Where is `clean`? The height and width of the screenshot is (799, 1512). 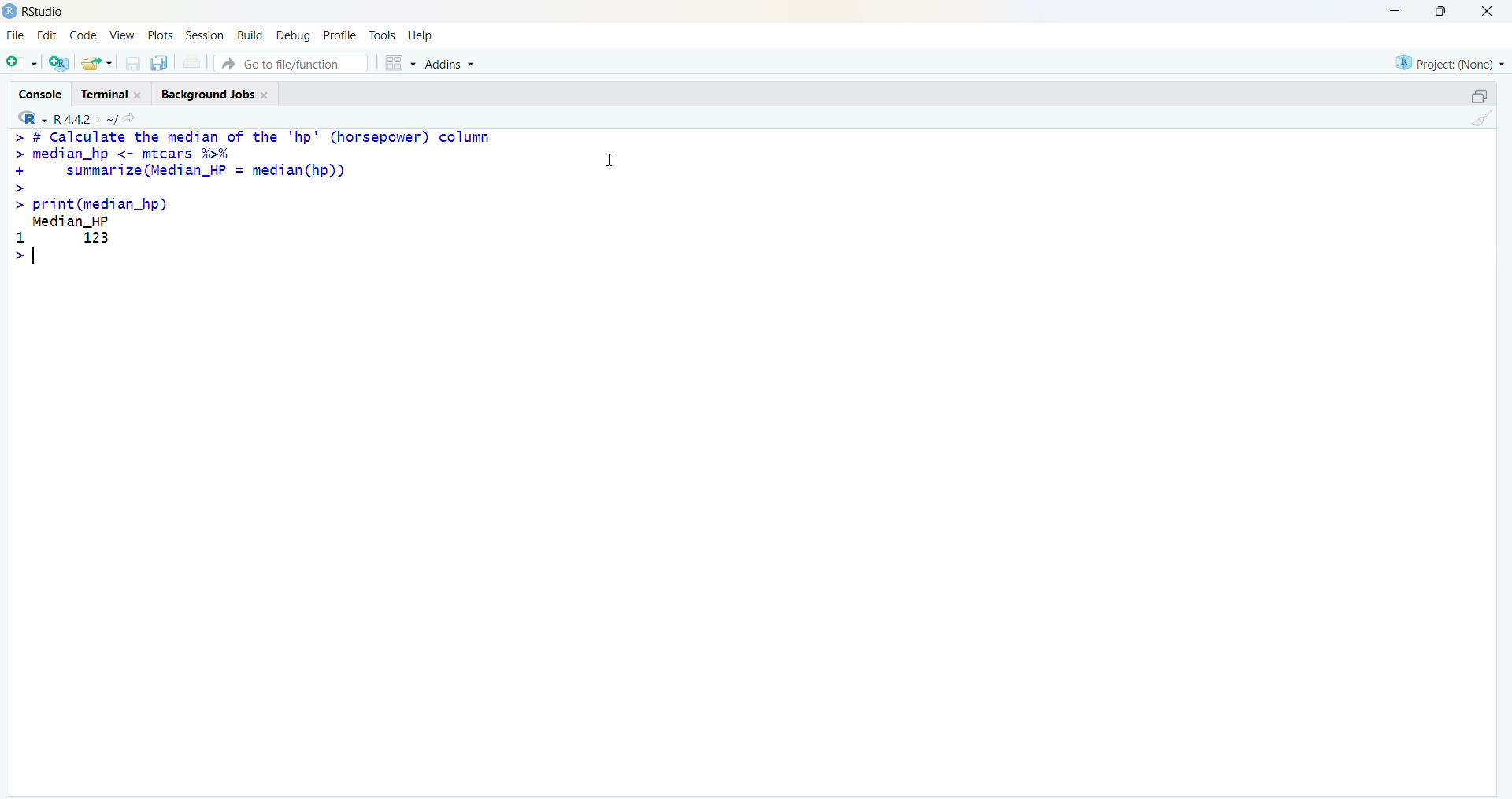
clean is located at coordinates (1481, 118).